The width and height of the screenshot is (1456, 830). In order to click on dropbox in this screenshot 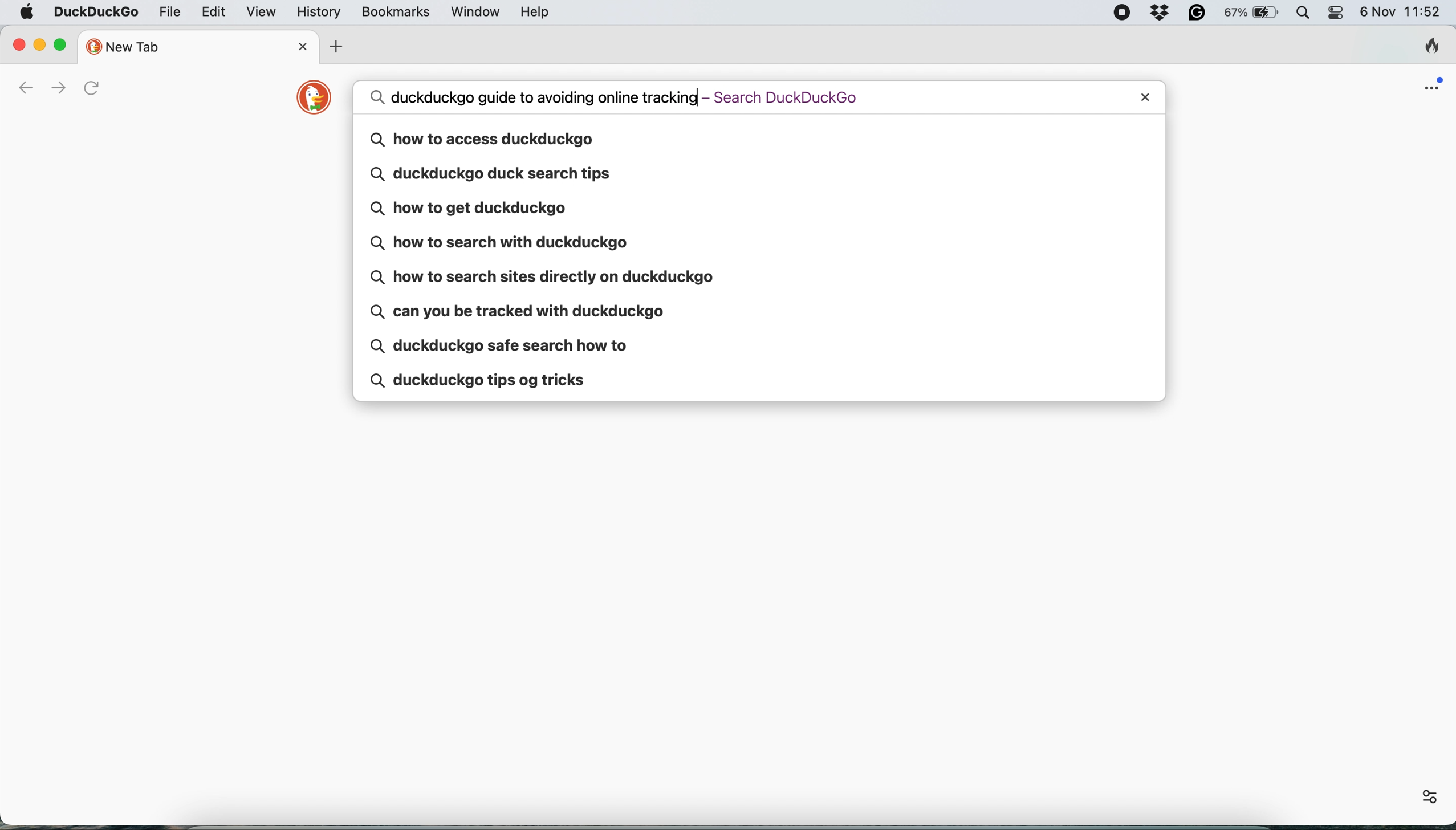, I will do `click(1164, 13)`.